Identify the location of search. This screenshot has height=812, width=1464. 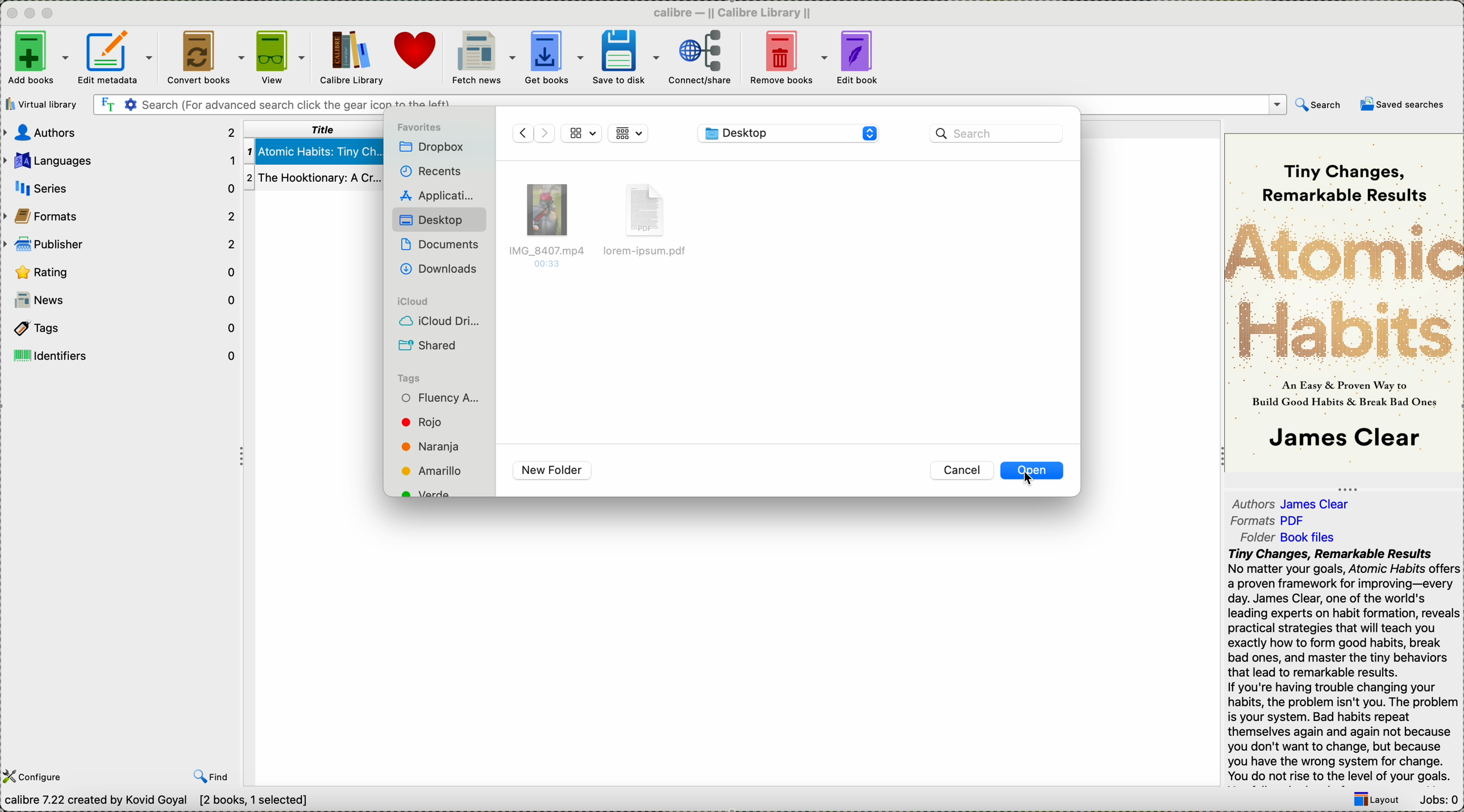
(1317, 104).